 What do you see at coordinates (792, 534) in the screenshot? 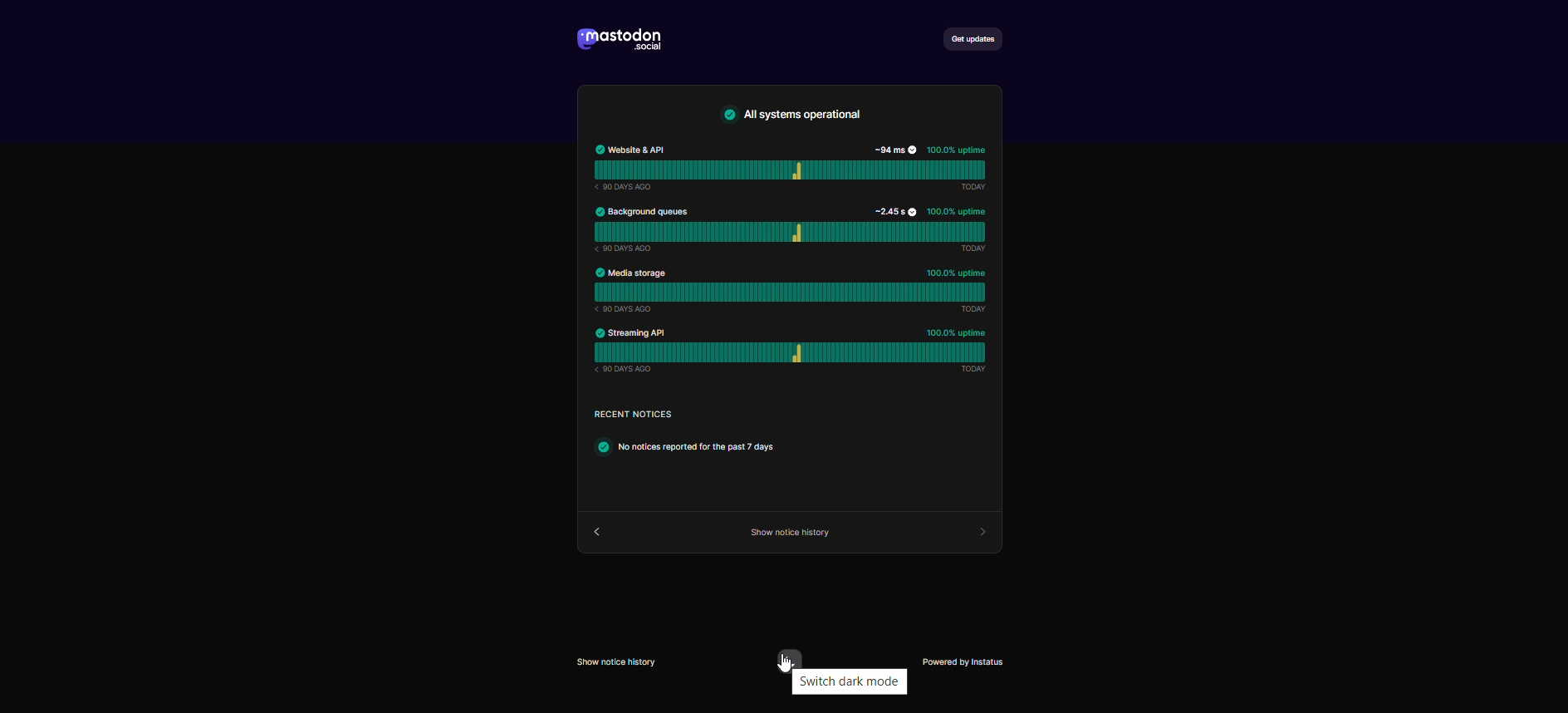
I see `show service history` at bounding box center [792, 534].